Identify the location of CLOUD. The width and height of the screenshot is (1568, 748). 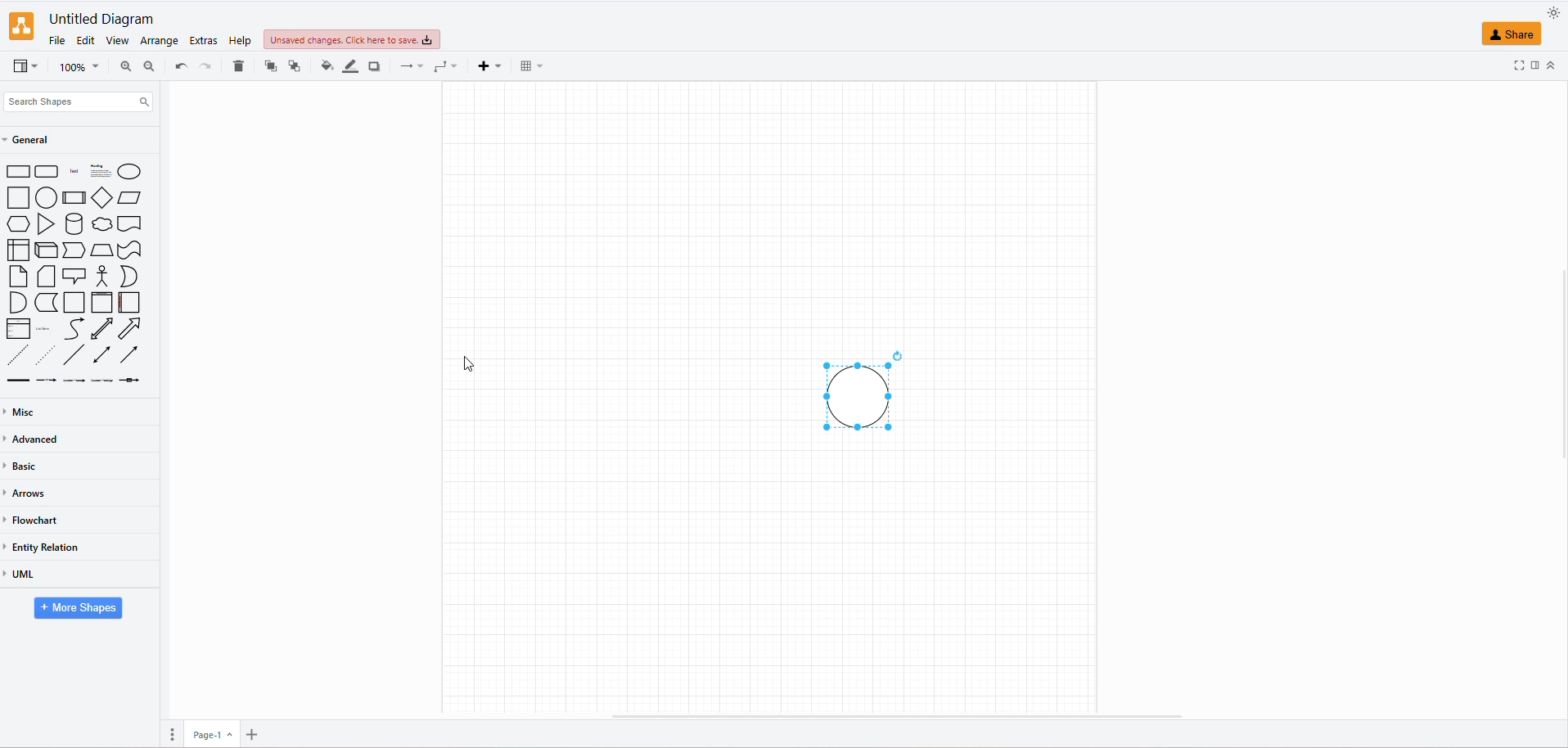
(104, 224).